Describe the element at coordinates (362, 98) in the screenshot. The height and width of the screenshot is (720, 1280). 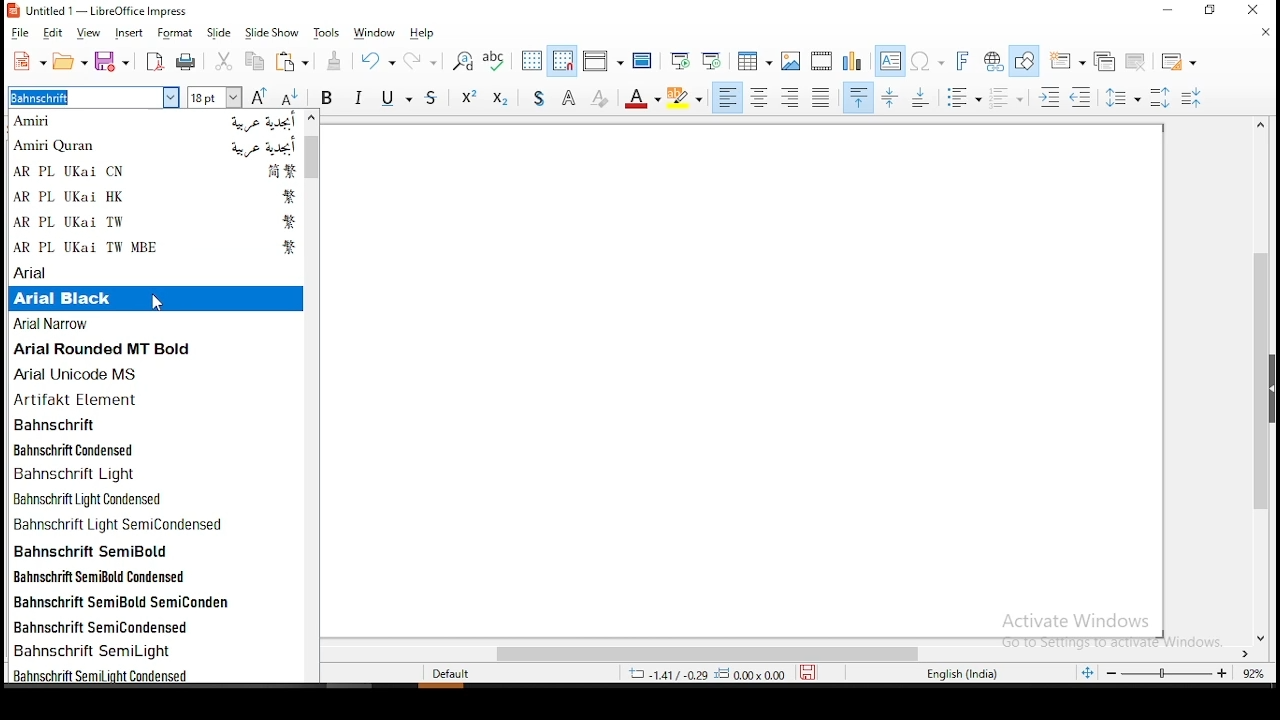
I see `italics` at that location.